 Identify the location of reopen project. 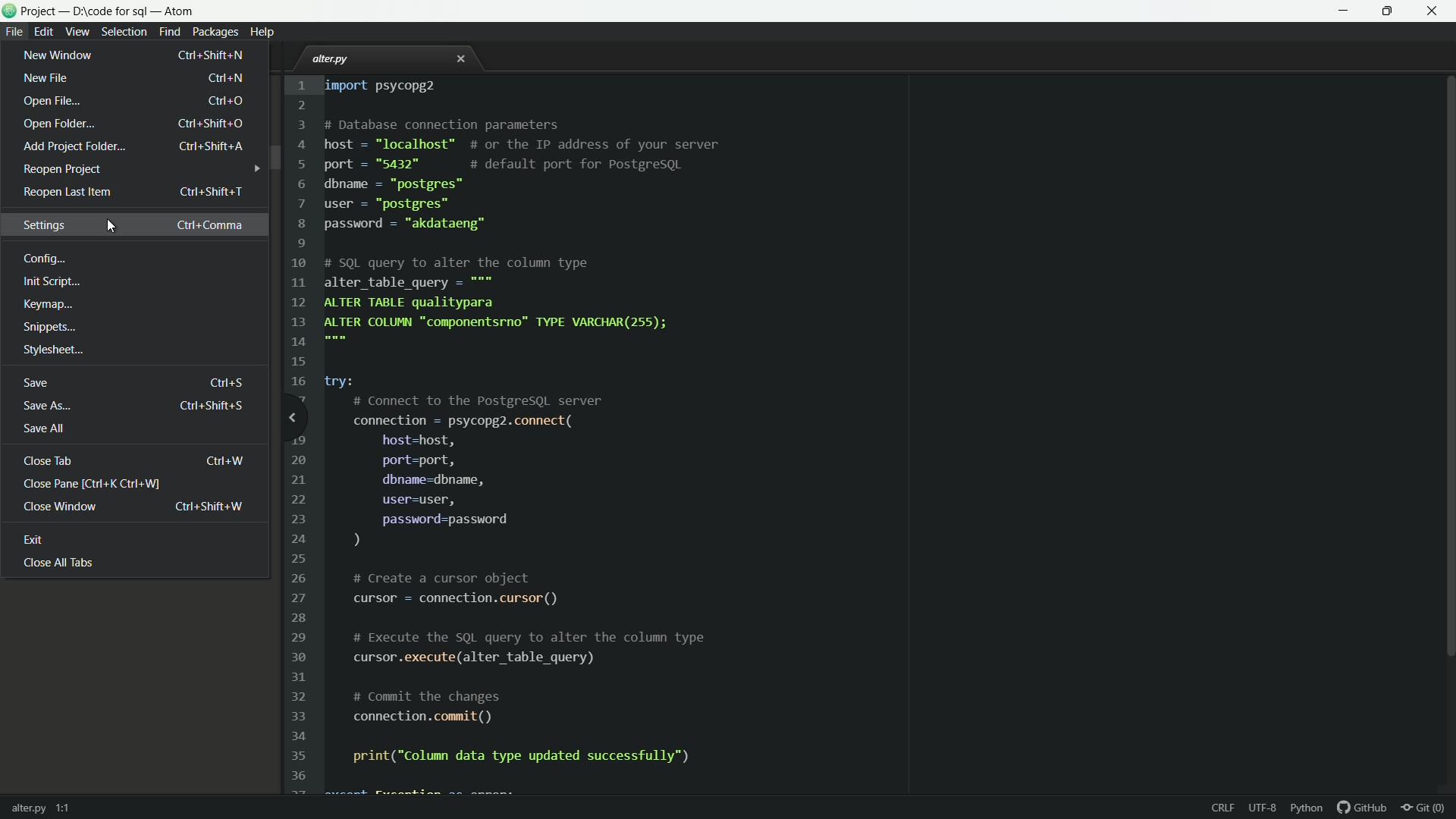
(63, 170).